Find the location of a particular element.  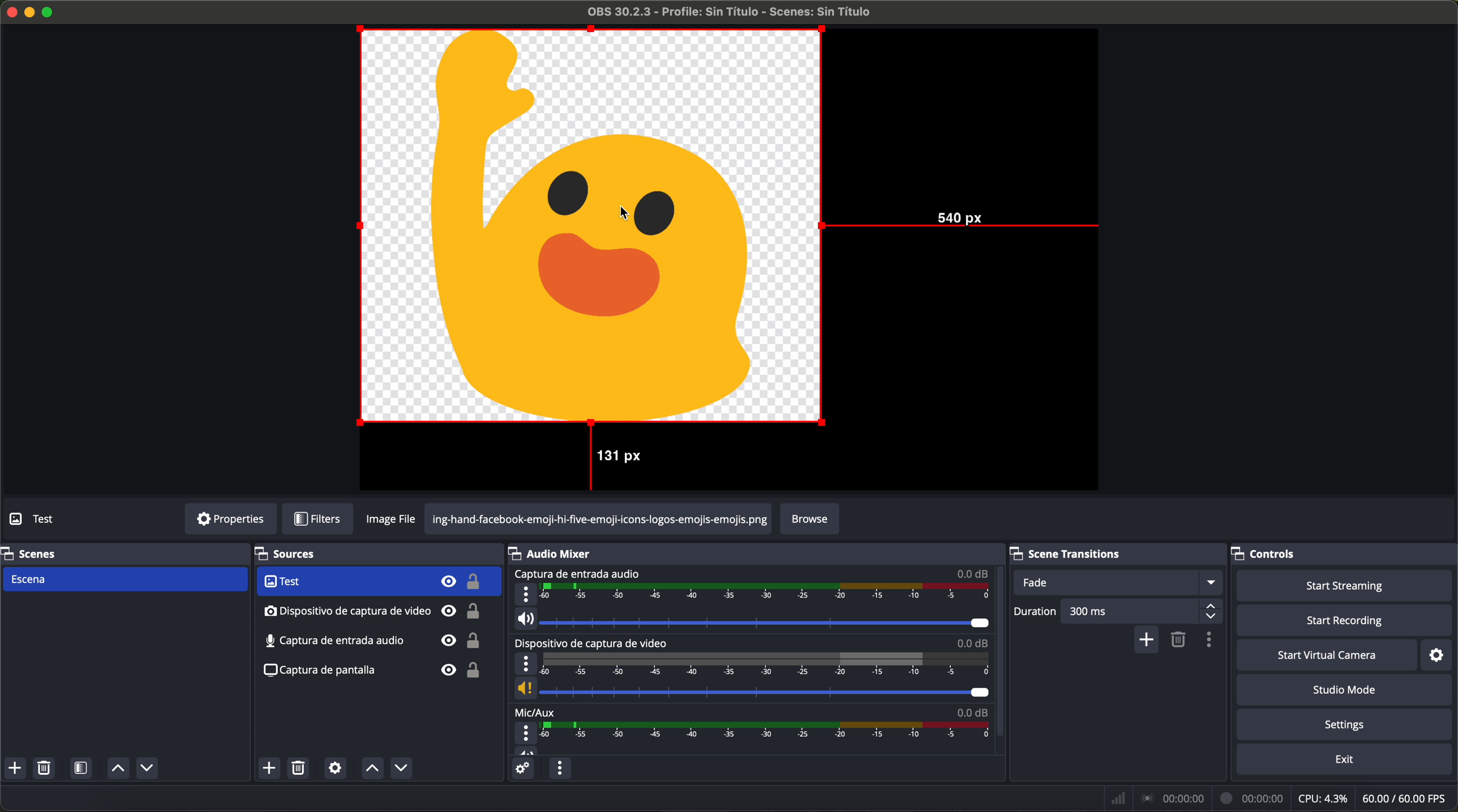

timeline is located at coordinates (766, 664).